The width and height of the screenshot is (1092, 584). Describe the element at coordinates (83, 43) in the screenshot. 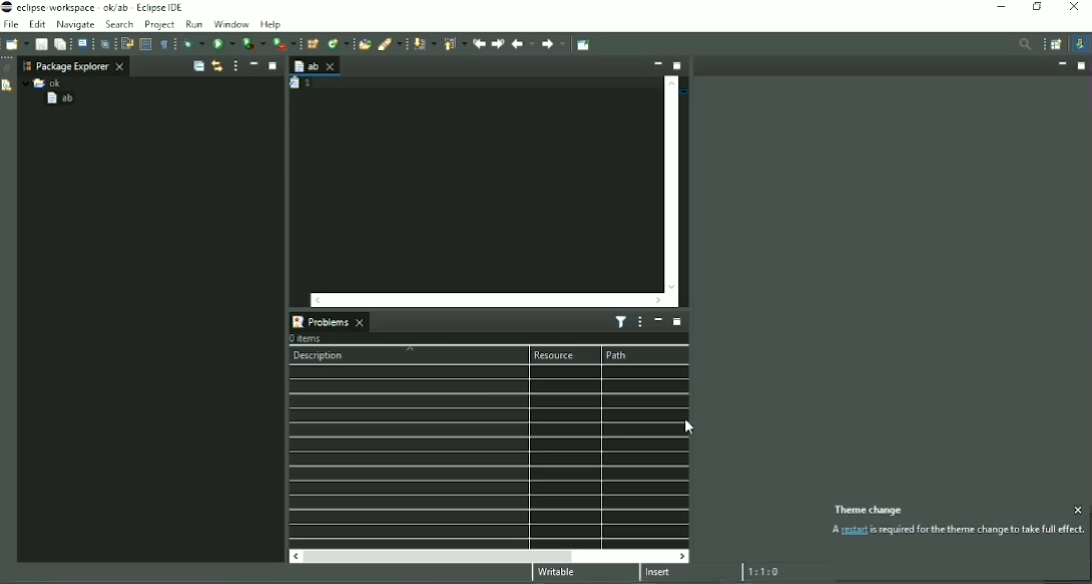

I see `Open a Terminal` at that location.